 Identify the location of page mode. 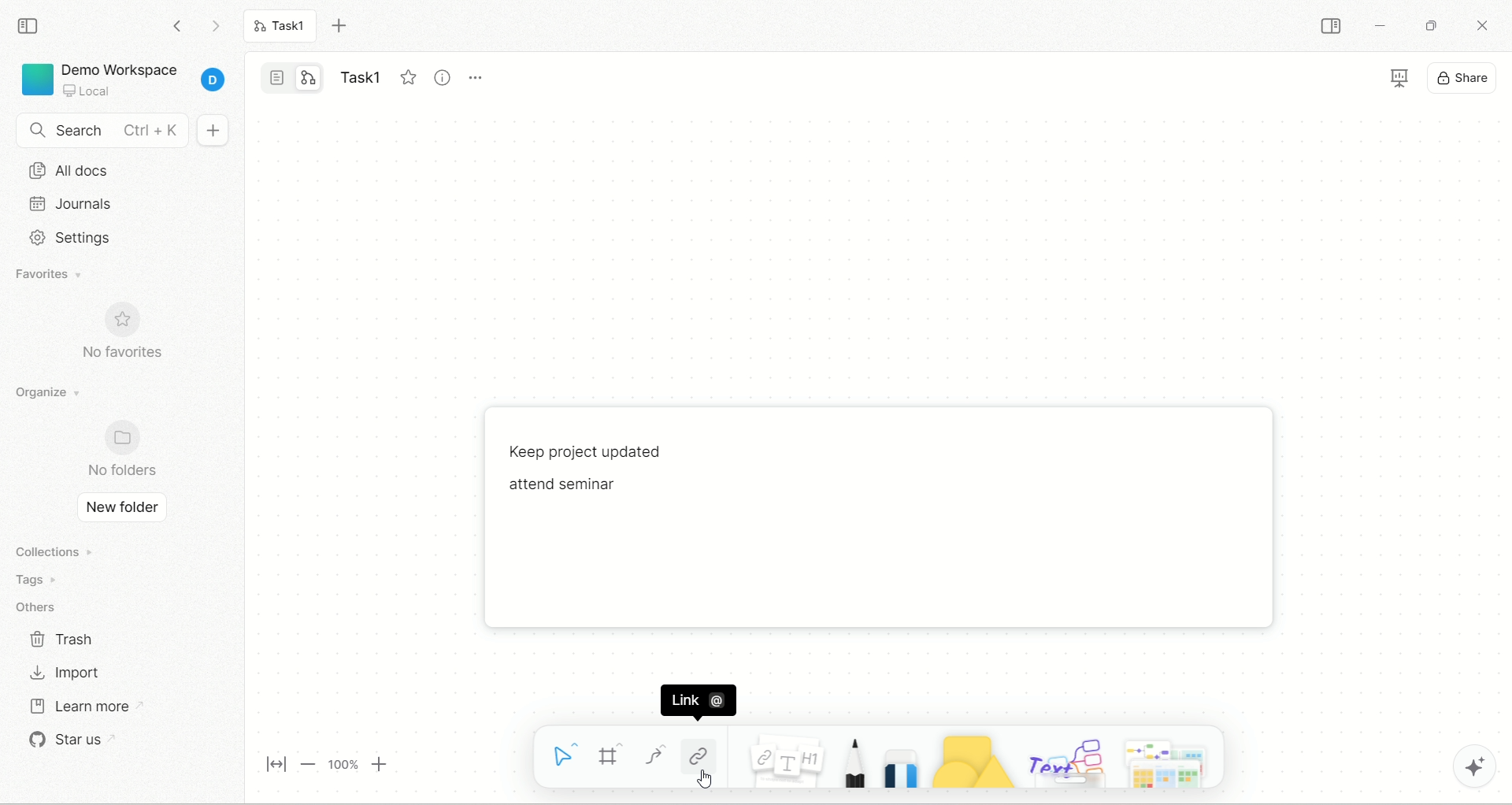
(277, 76).